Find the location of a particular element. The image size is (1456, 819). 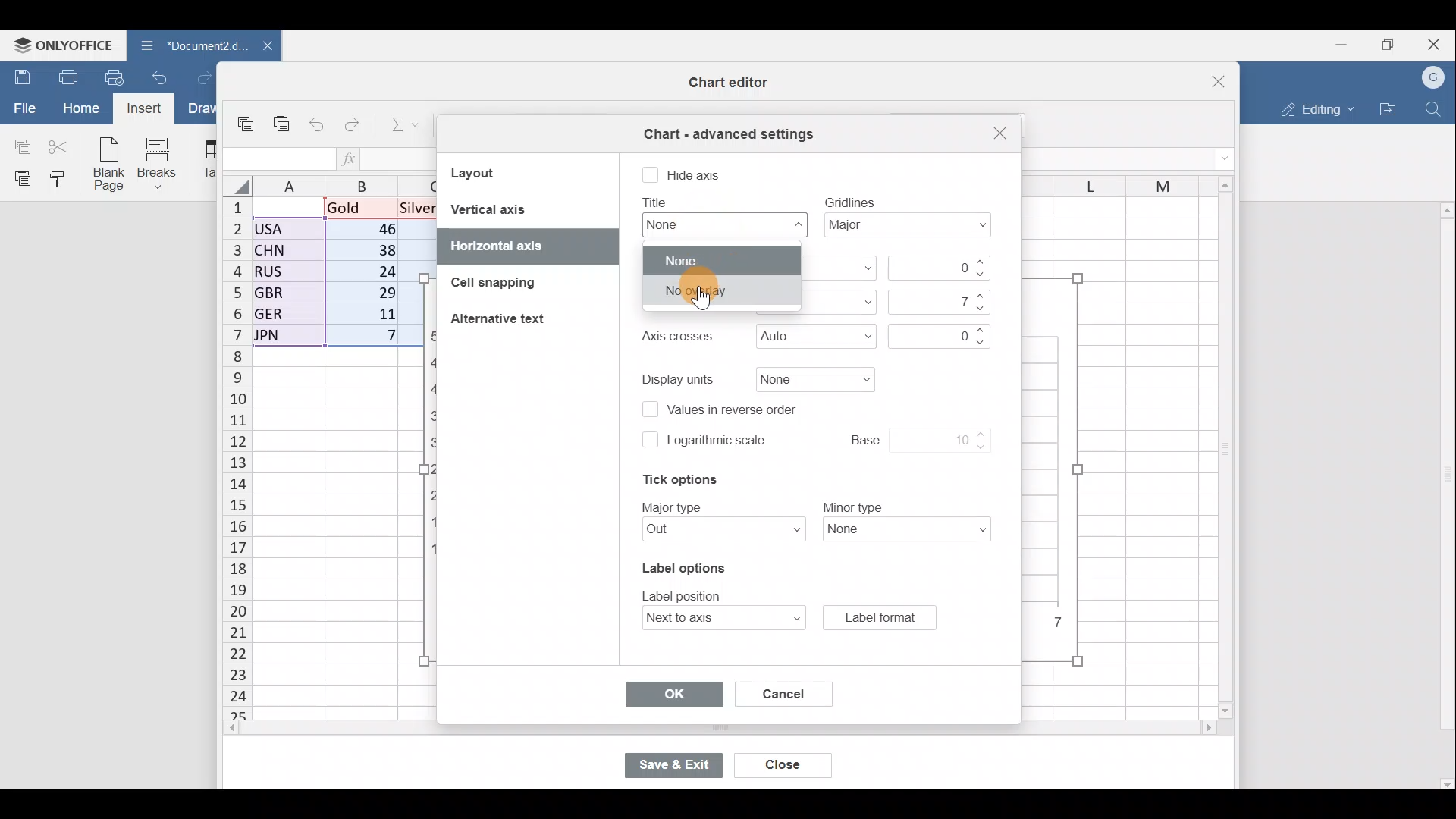

None is located at coordinates (720, 259).